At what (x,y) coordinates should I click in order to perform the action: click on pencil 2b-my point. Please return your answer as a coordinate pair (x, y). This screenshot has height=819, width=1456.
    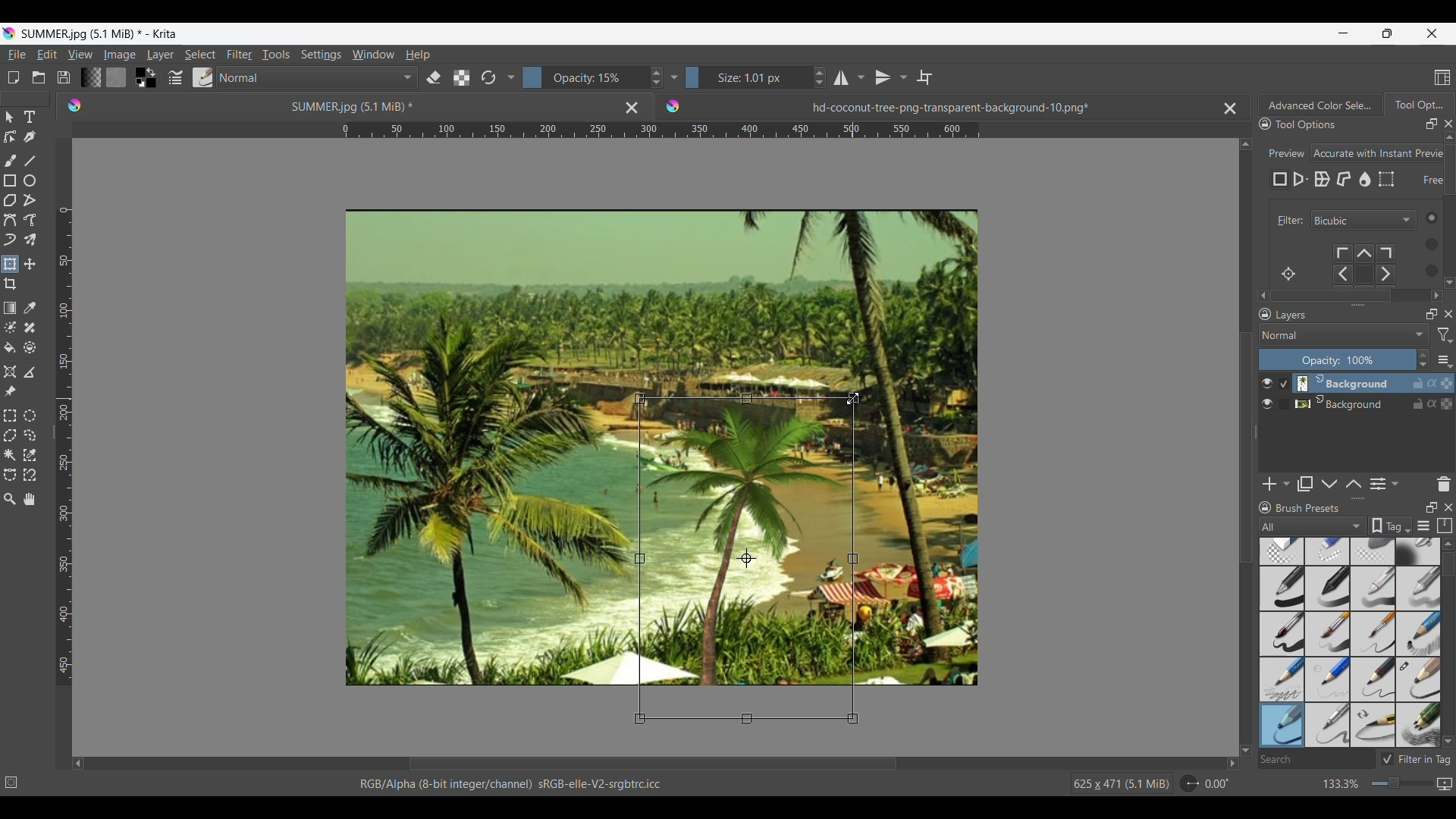
    Looking at the image, I should click on (1280, 678).